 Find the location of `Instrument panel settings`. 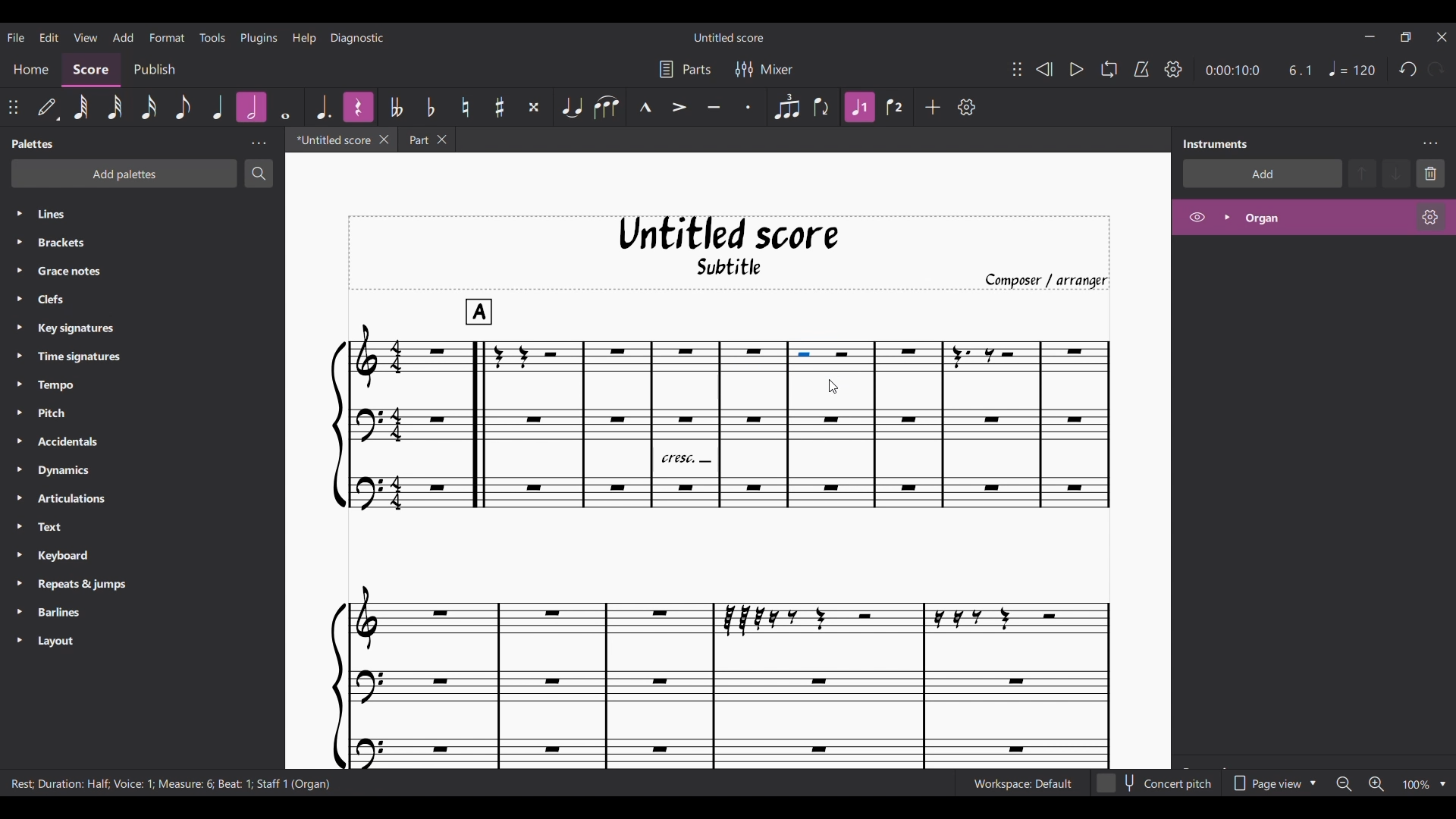

Instrument panel settings is located at coordinates (1430, 144).